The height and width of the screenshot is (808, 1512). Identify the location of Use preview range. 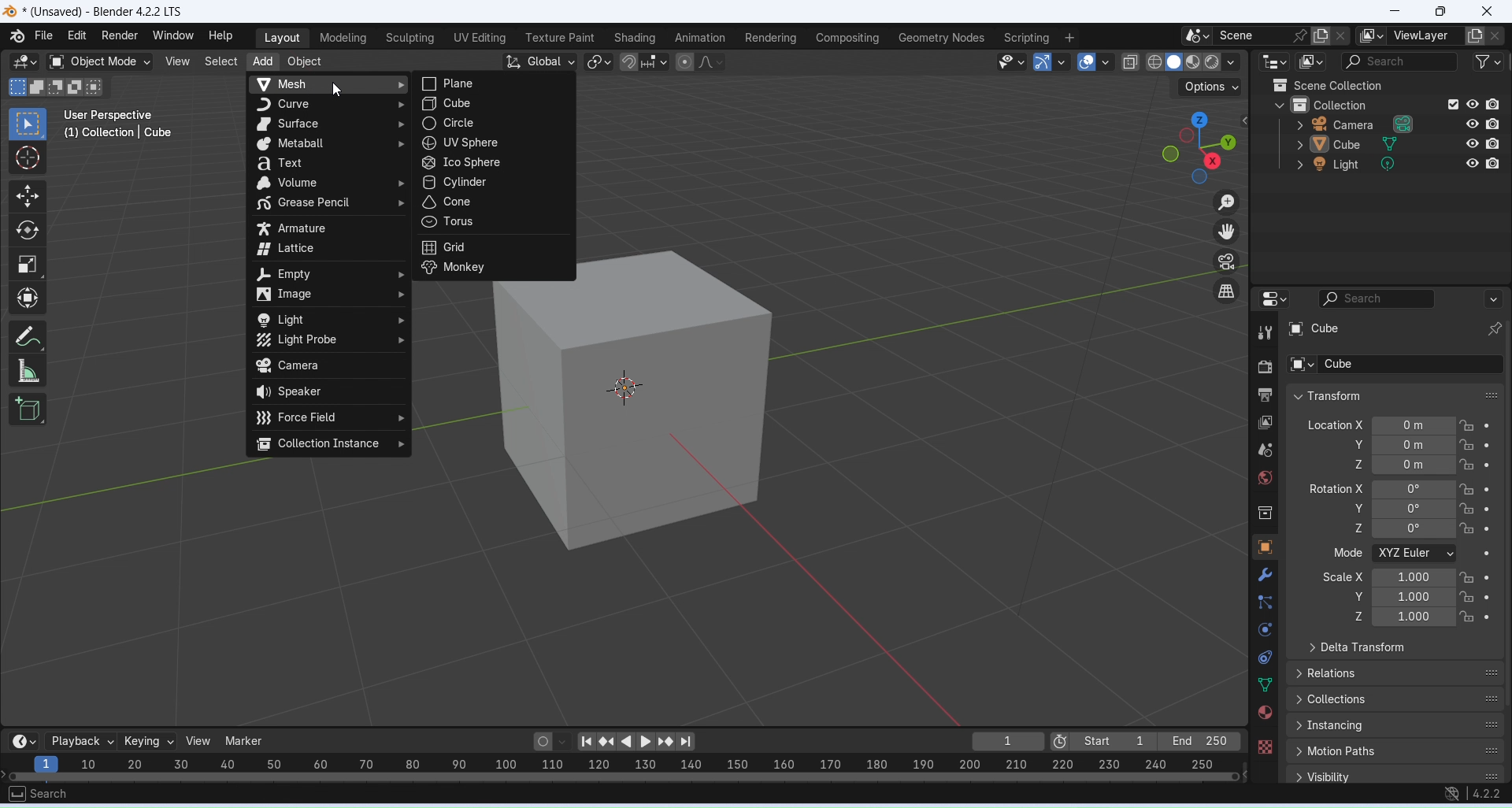
(1061, 740).